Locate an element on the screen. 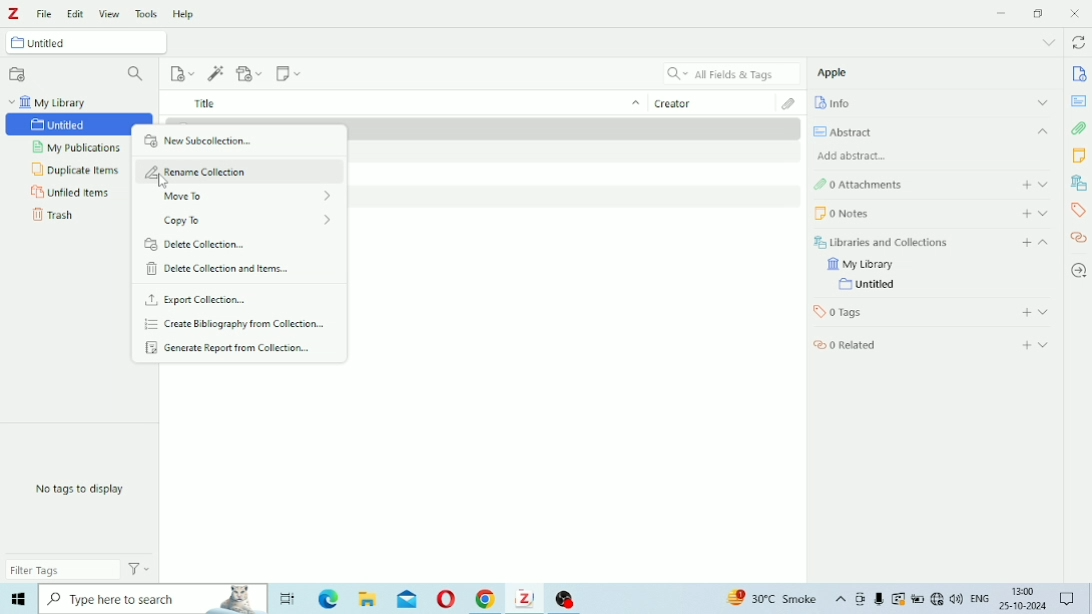   is located at coordinates (1022, 598).